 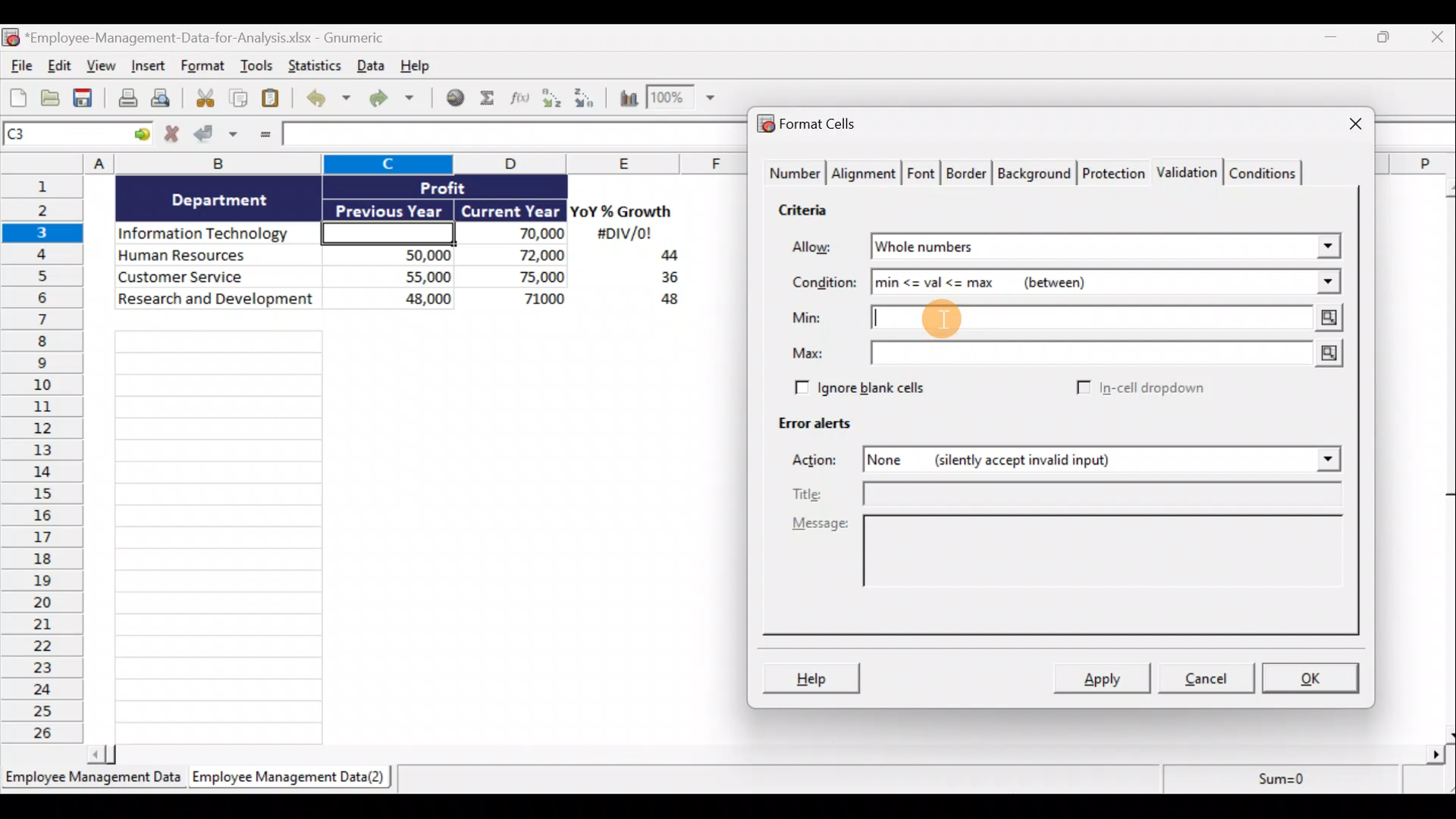 What do you see at coordinates (218, 275) in the screenshot?
I see `Customer Service` at bounding box center [218, 275].